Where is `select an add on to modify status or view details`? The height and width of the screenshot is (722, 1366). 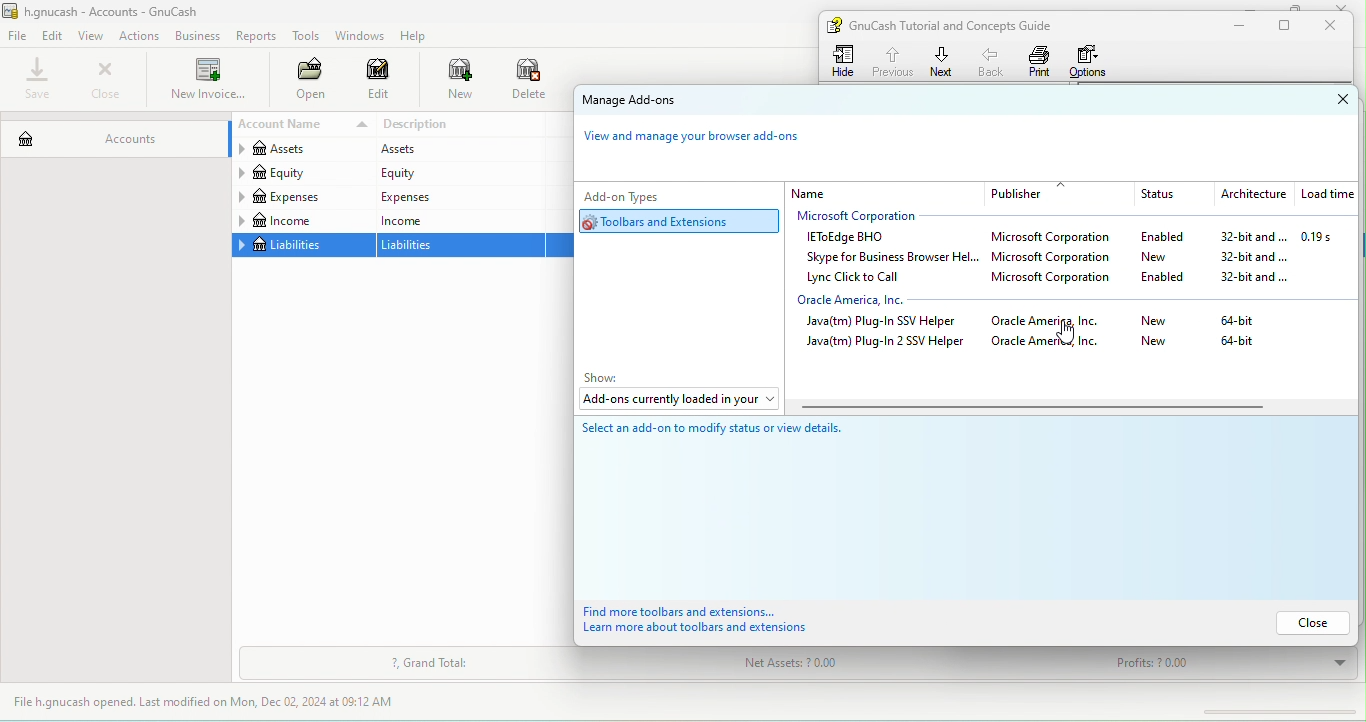
select an add on to modify status or view details is located at coordinates (734, 436).